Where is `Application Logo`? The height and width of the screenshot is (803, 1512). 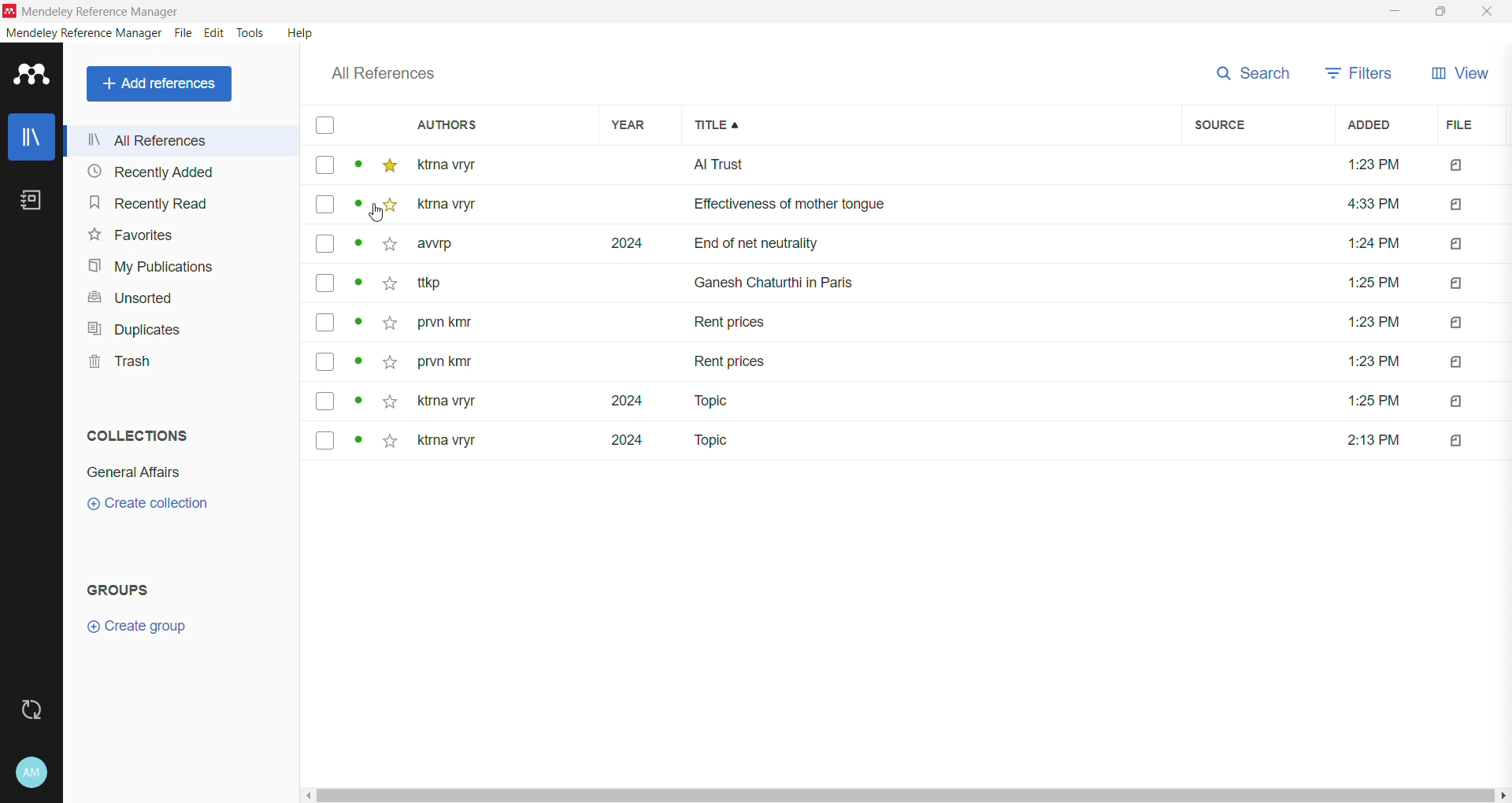 Application Logo is located at coordinates (32, 76).